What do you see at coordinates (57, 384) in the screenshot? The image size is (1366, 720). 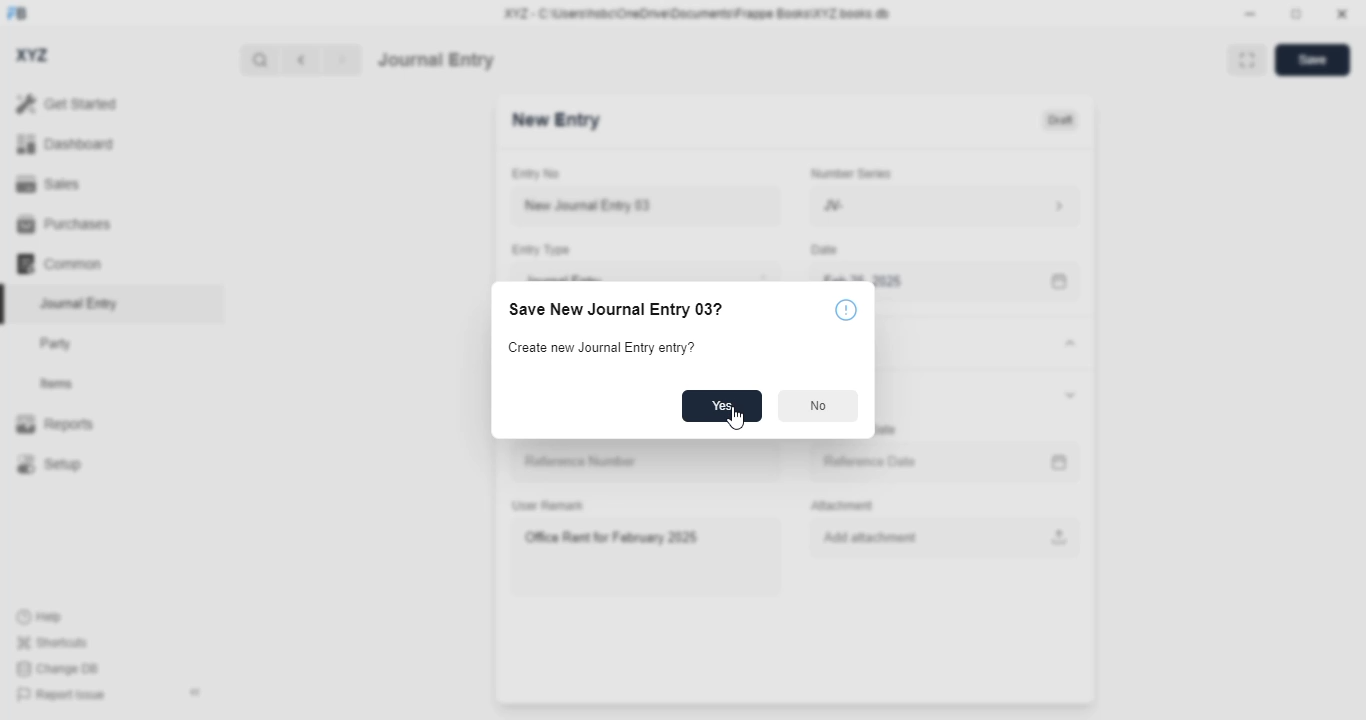 I see `items` at bounding box center [57, 384].